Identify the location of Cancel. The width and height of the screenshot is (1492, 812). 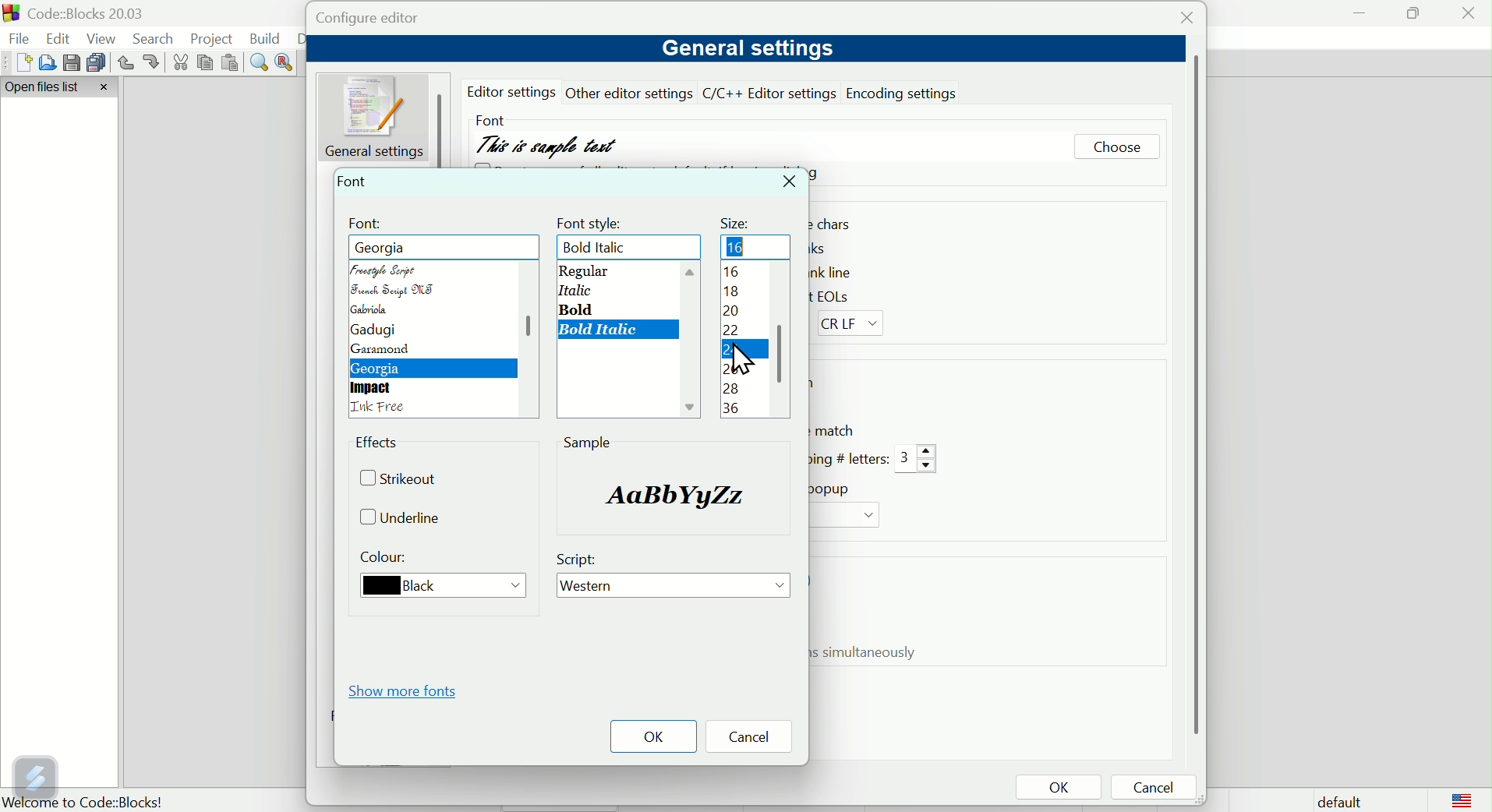
(755, 738).